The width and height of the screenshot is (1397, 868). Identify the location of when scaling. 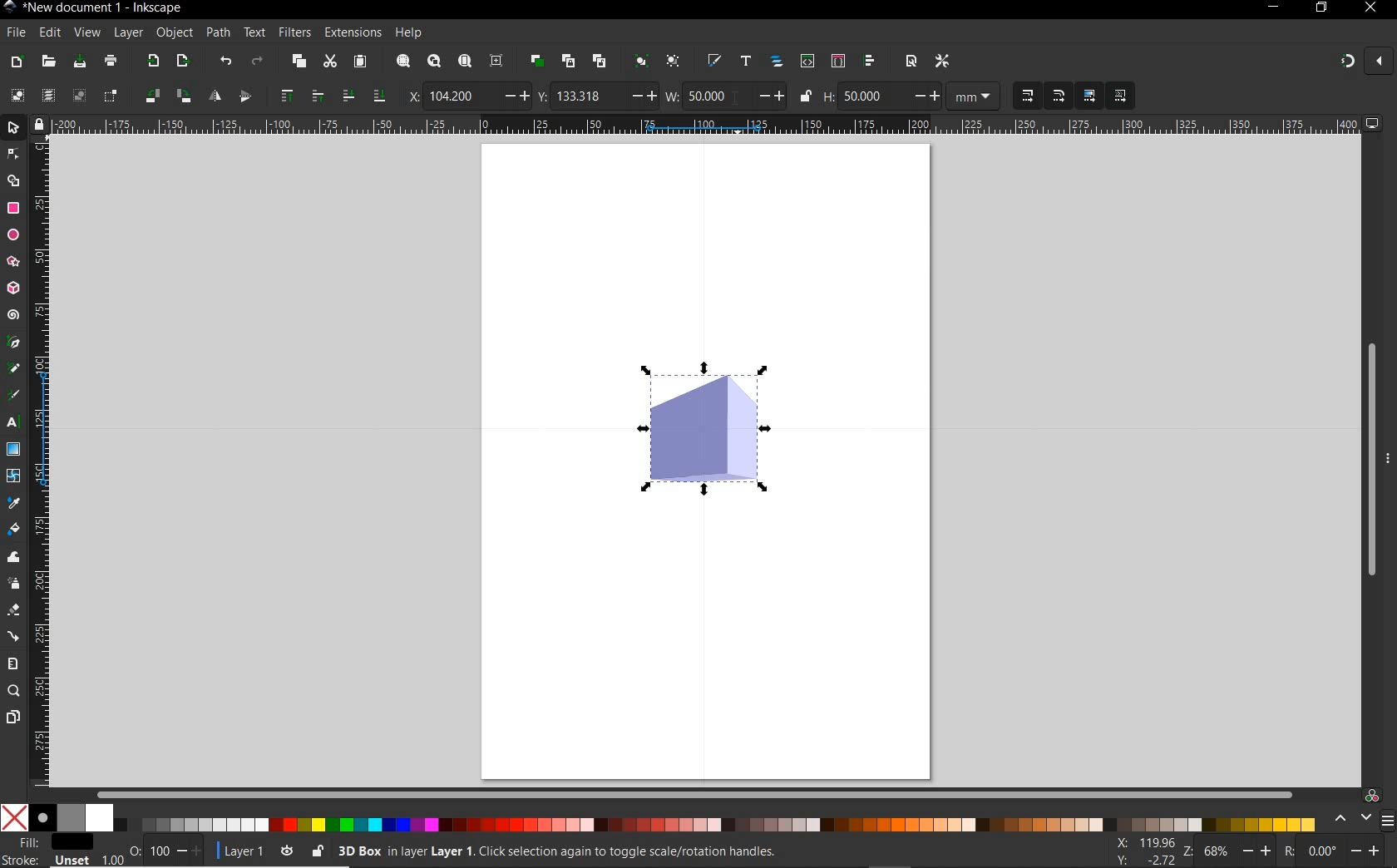
(1027, 96).